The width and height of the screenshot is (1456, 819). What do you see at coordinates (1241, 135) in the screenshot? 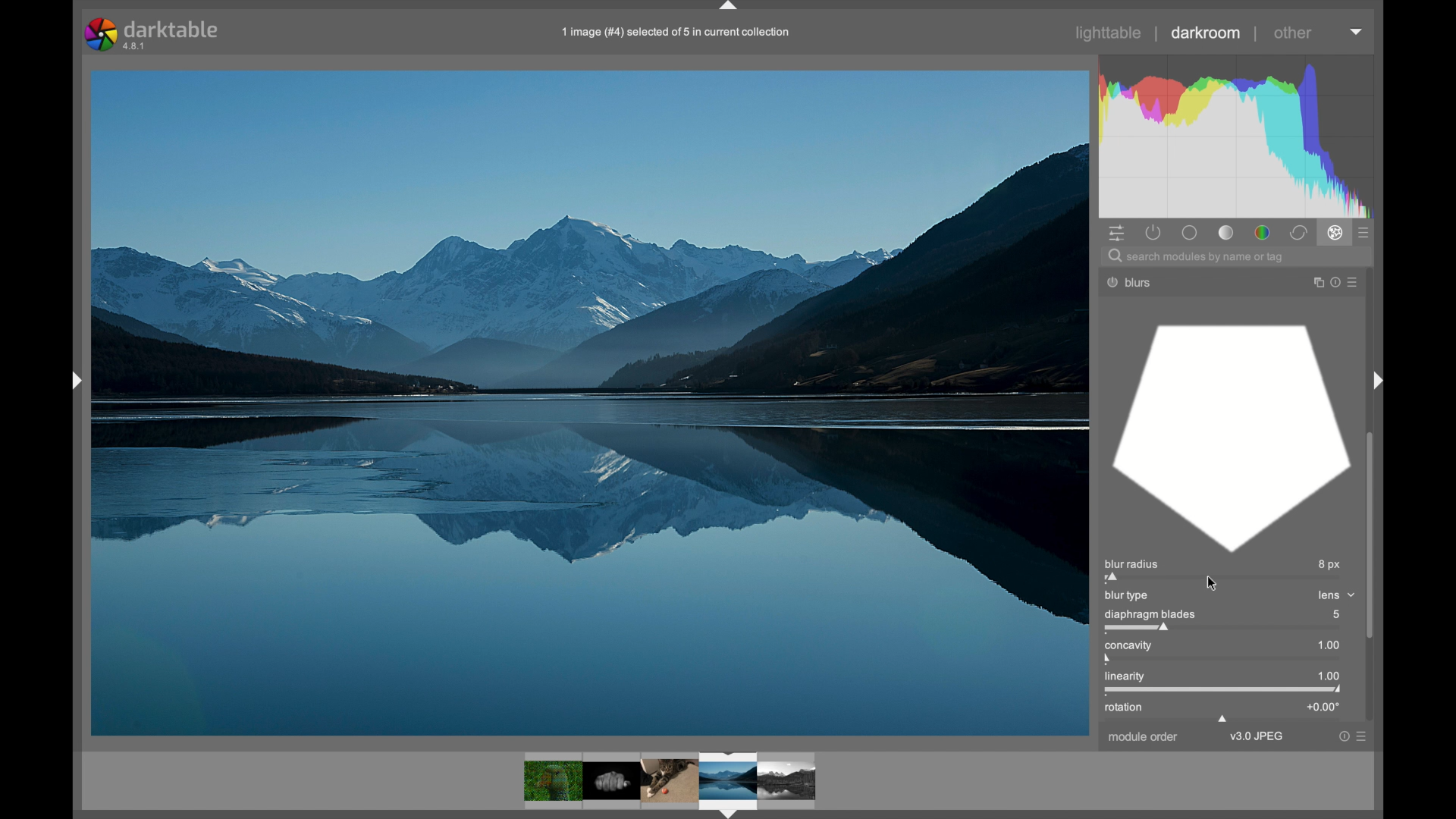
I see `histogram` at bounding box center [1241, 135].